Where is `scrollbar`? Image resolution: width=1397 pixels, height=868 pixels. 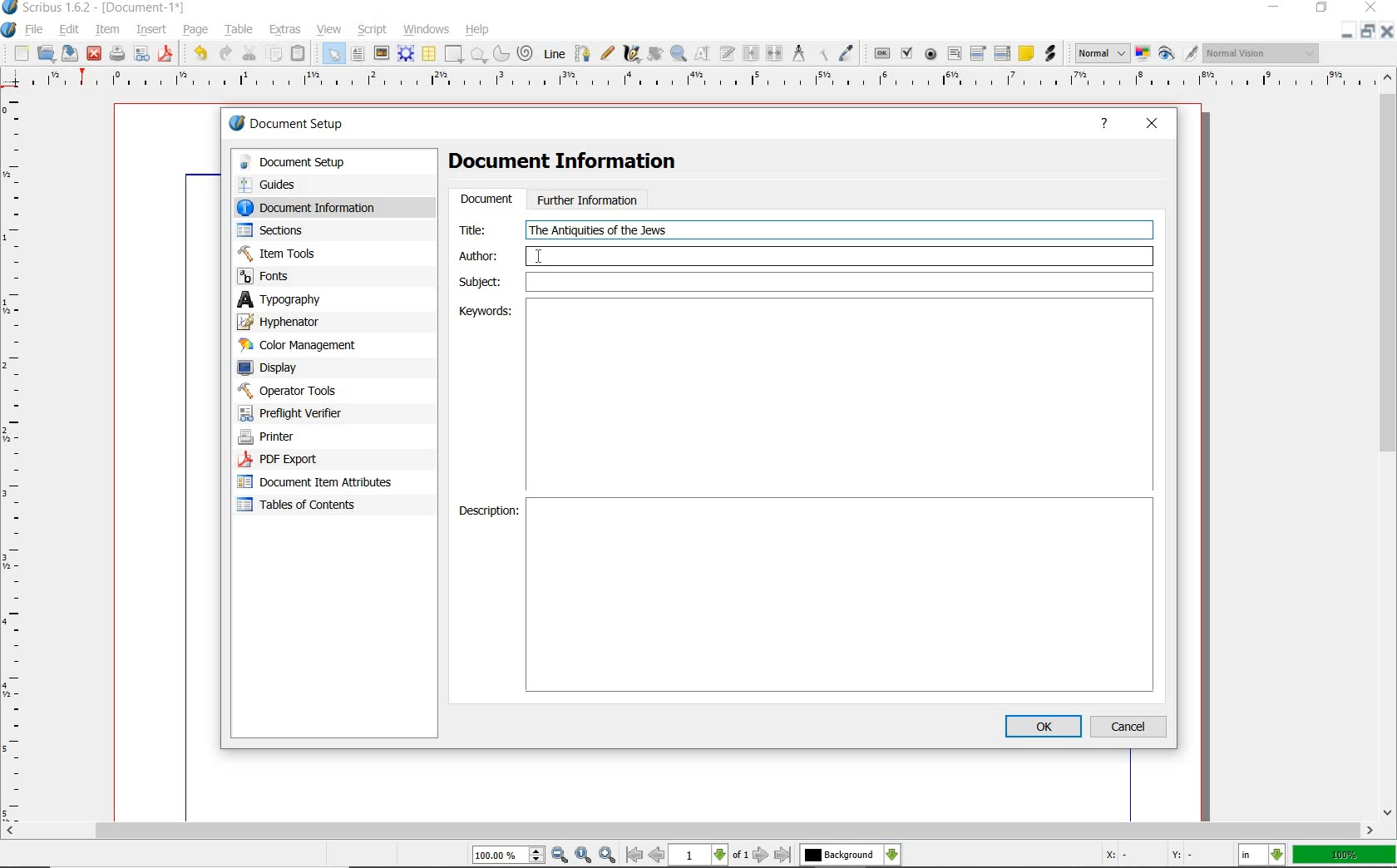 scrollbar is located at coordinates (1389, 446).